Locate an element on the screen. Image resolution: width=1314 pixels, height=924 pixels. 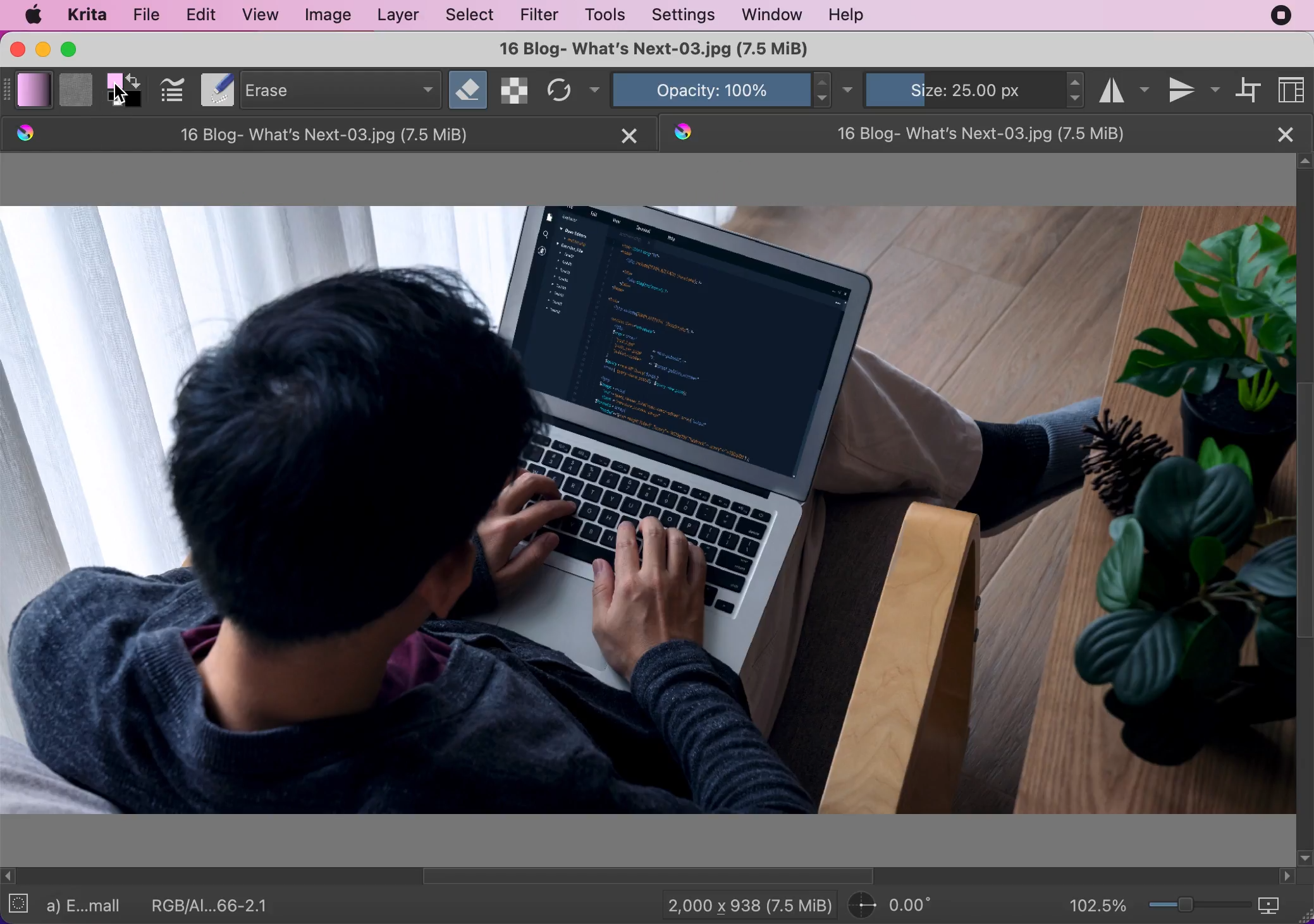
set eraser mode is located at coordinates (468, 88).